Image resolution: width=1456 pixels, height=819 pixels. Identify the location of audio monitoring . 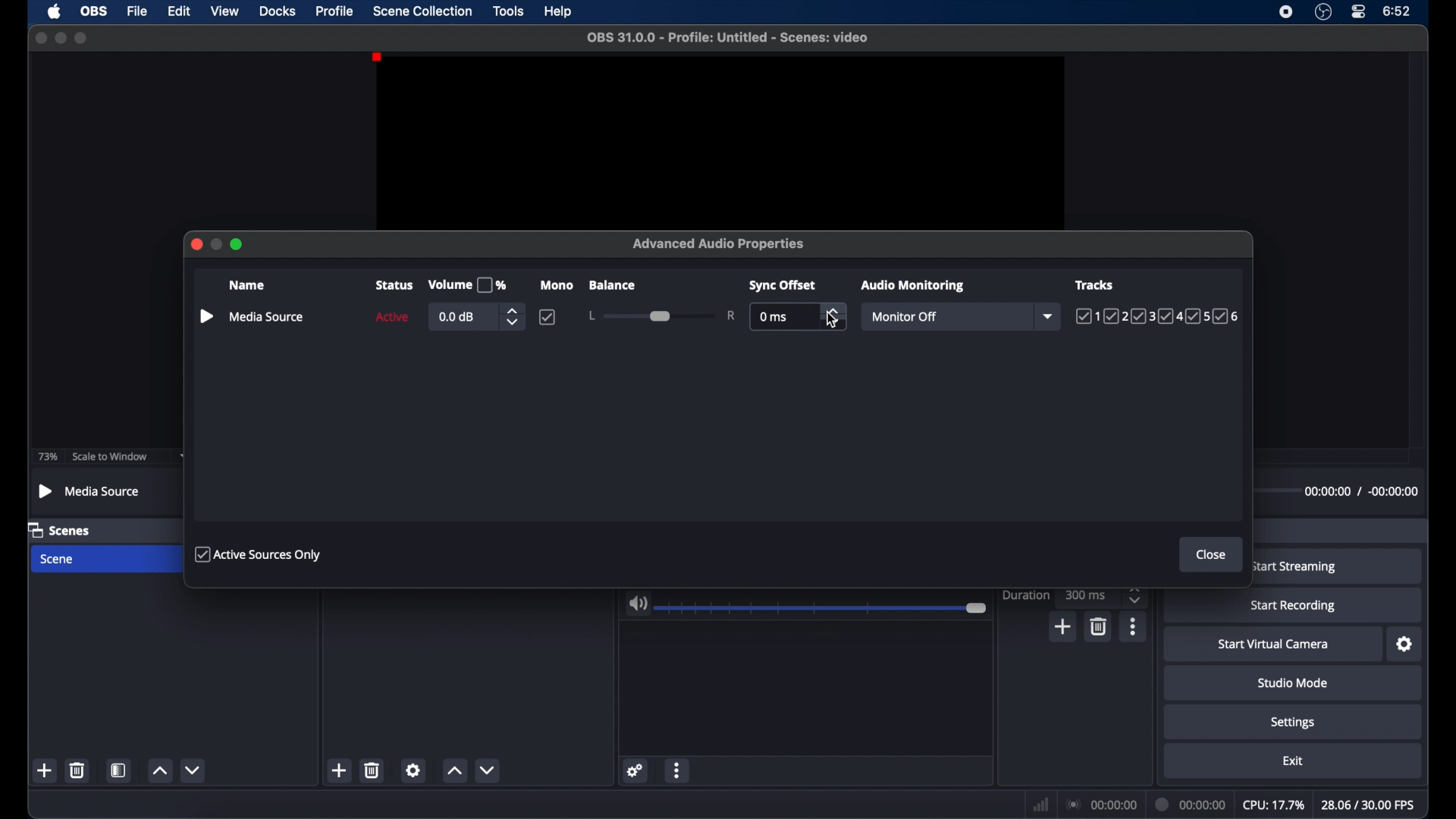
(915, 286).